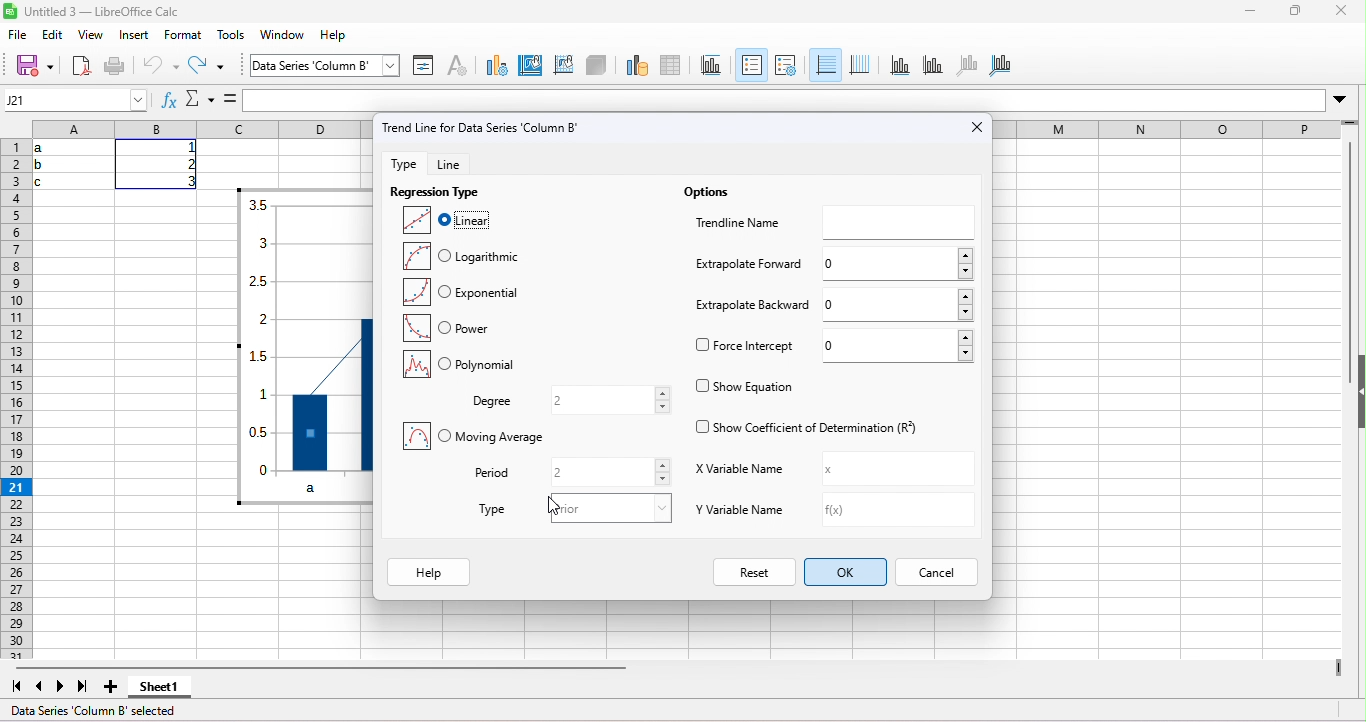 The image size is (1366, 722). What do you see at coordinates (207, 128) in the screenshot?
I see `column headings` at bounding box center [207, 128].